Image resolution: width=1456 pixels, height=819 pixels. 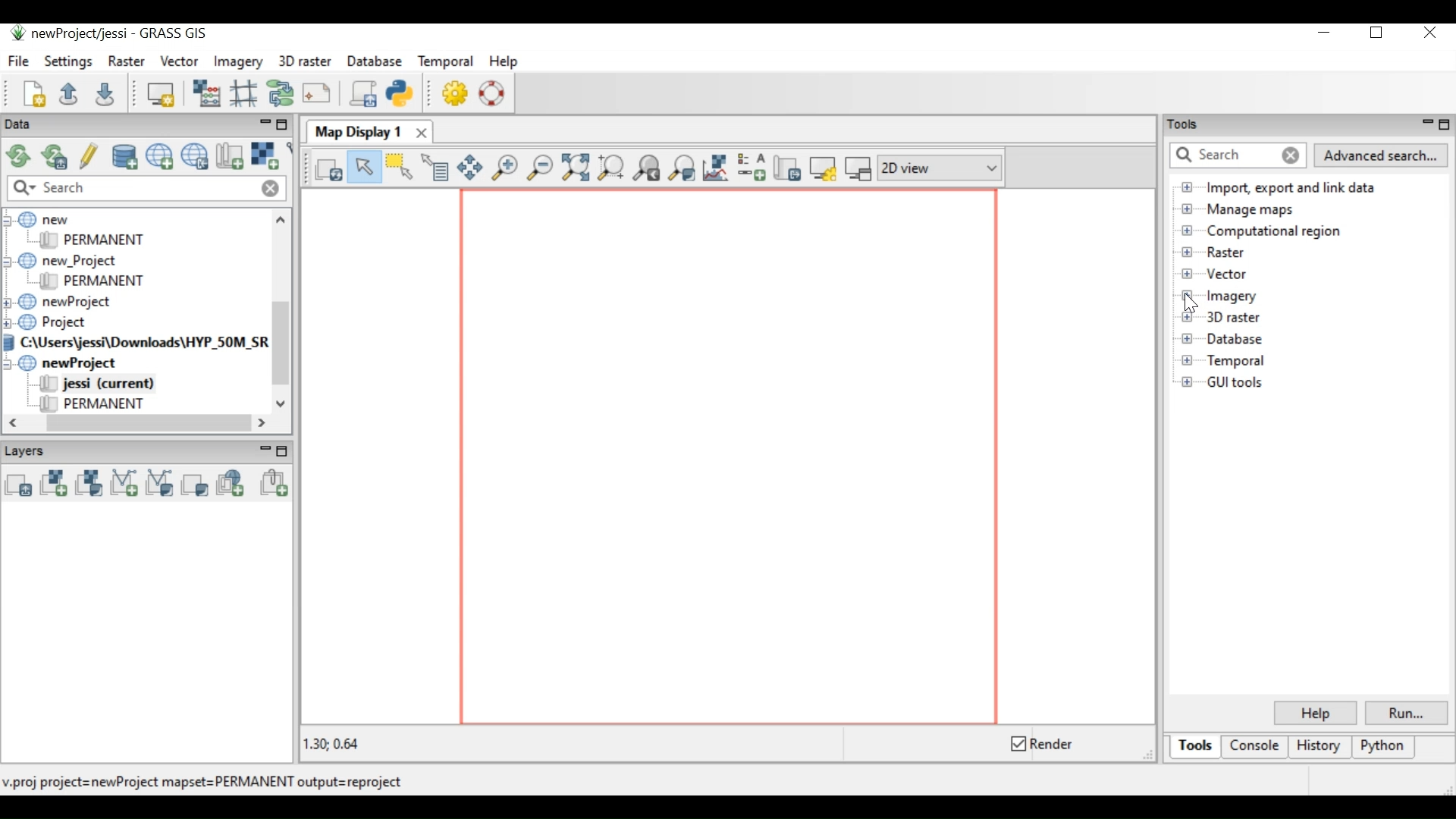 What do you see at coordinates (1430, 35) in the screenshot?
I see `Close` at bounding box center [1430, 35].